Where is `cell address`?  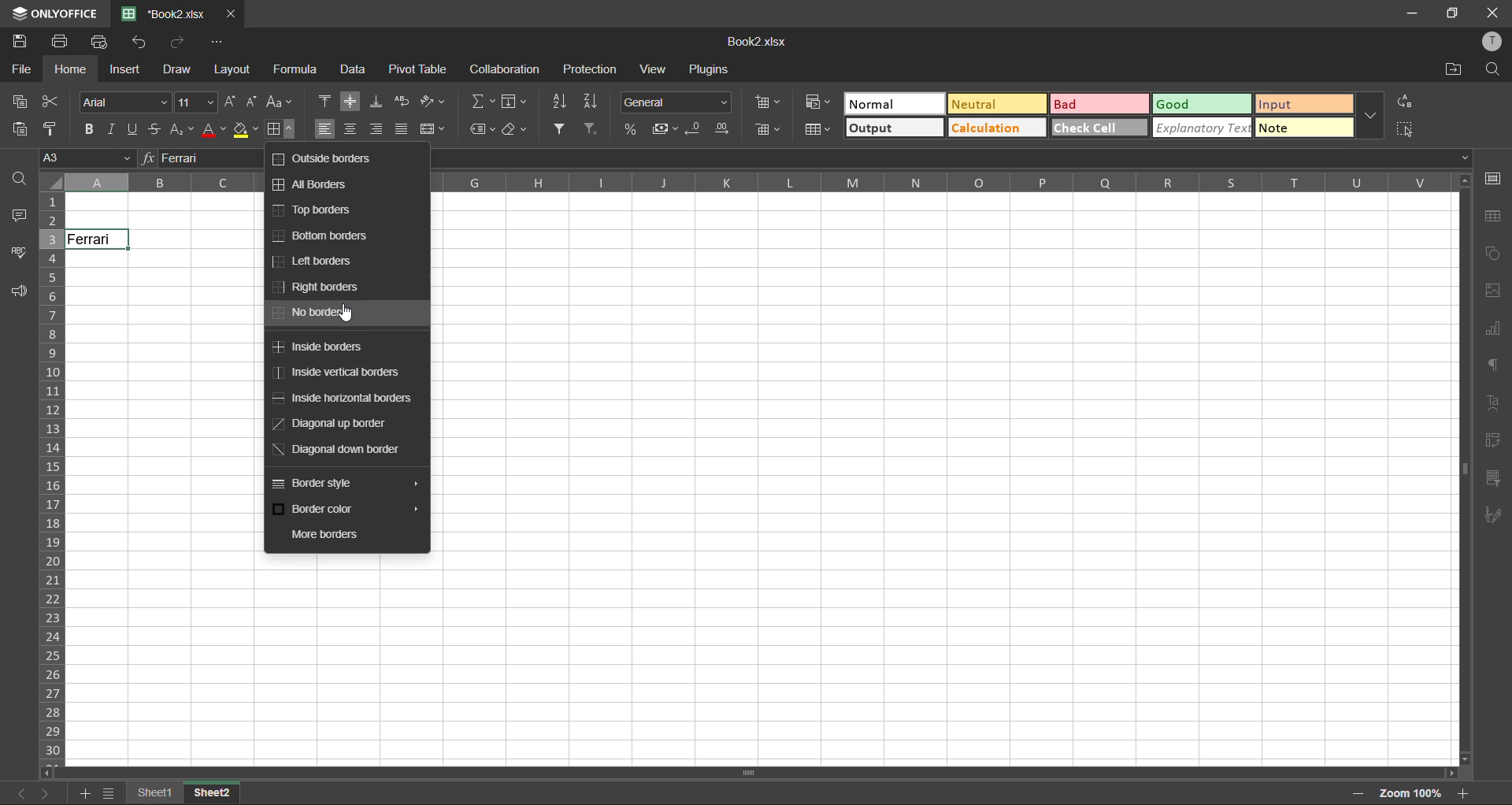 cell address is located at coordinates (86, 157).